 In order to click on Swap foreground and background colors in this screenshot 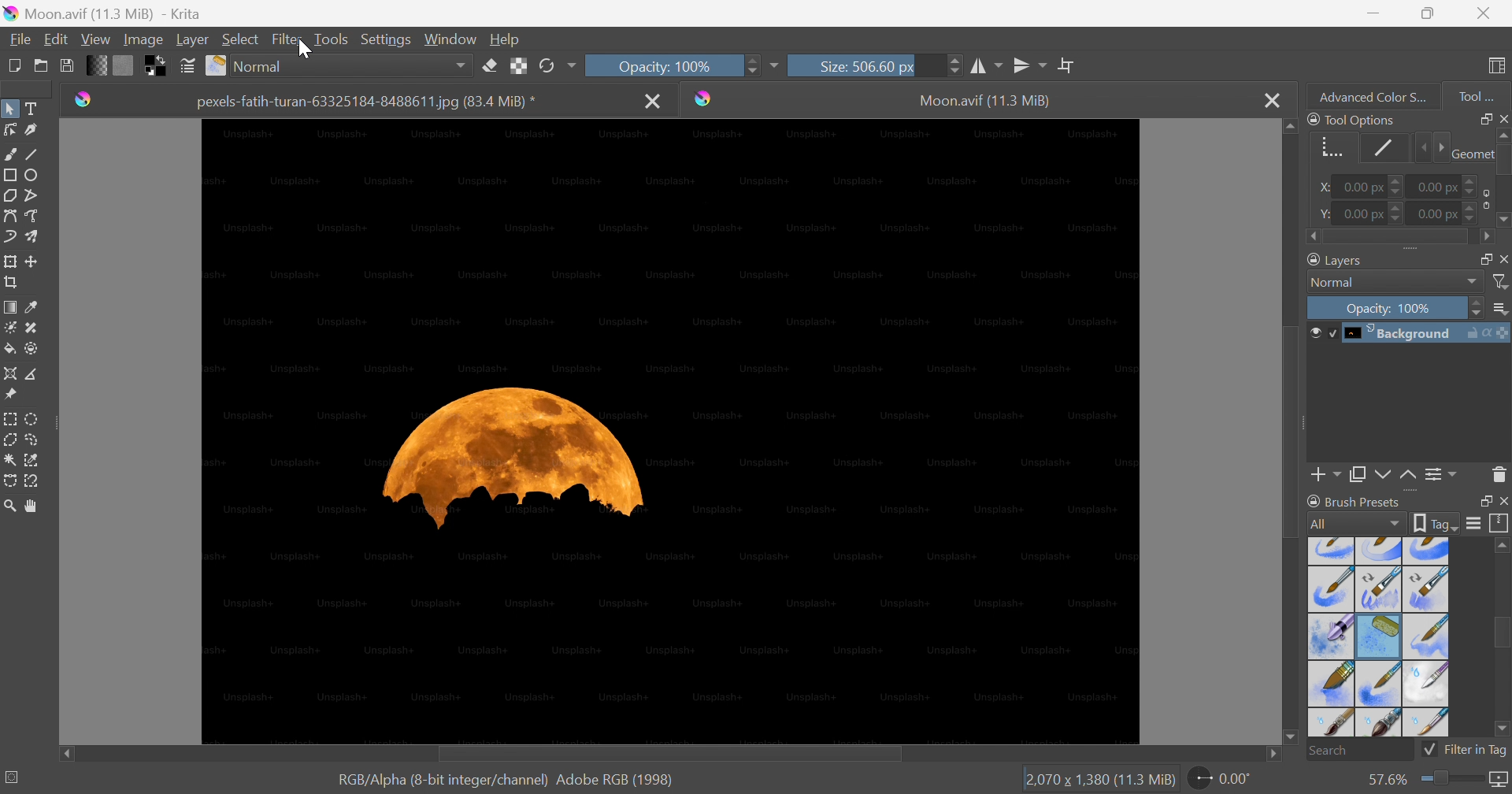, I will do `click(158, 66)`.